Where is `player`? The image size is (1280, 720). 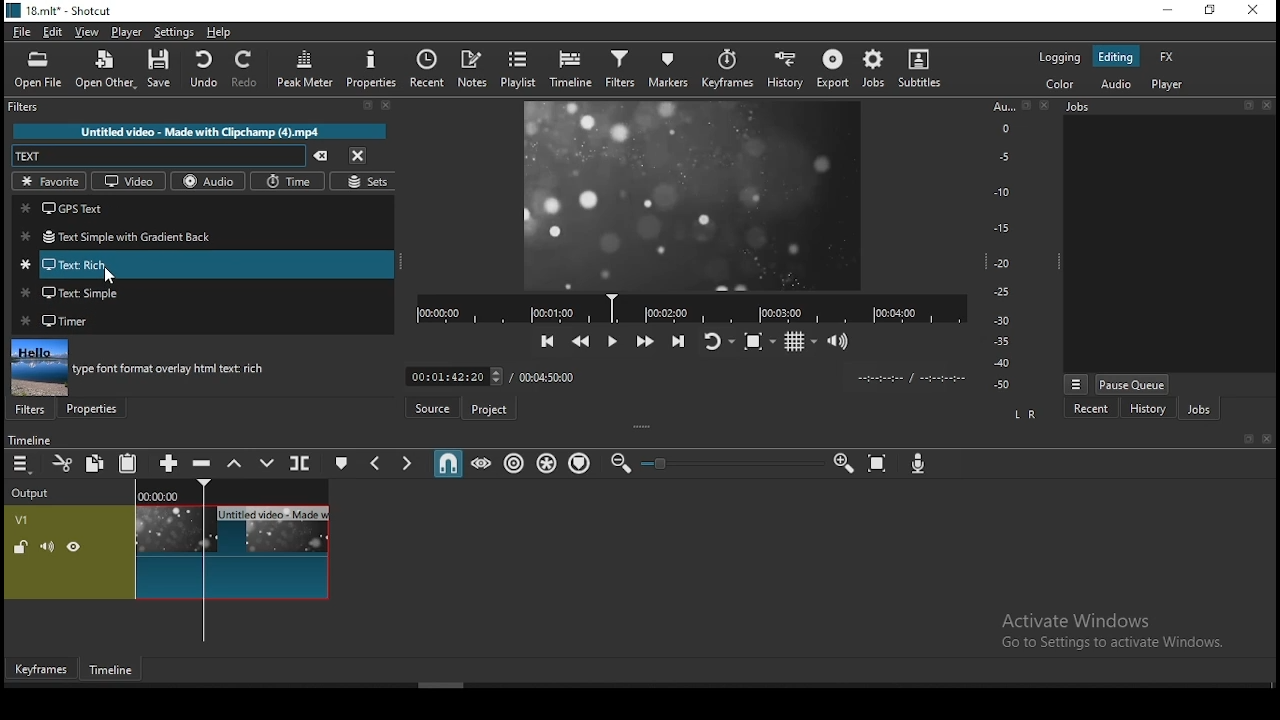 player is located at coordinates (127, 32).